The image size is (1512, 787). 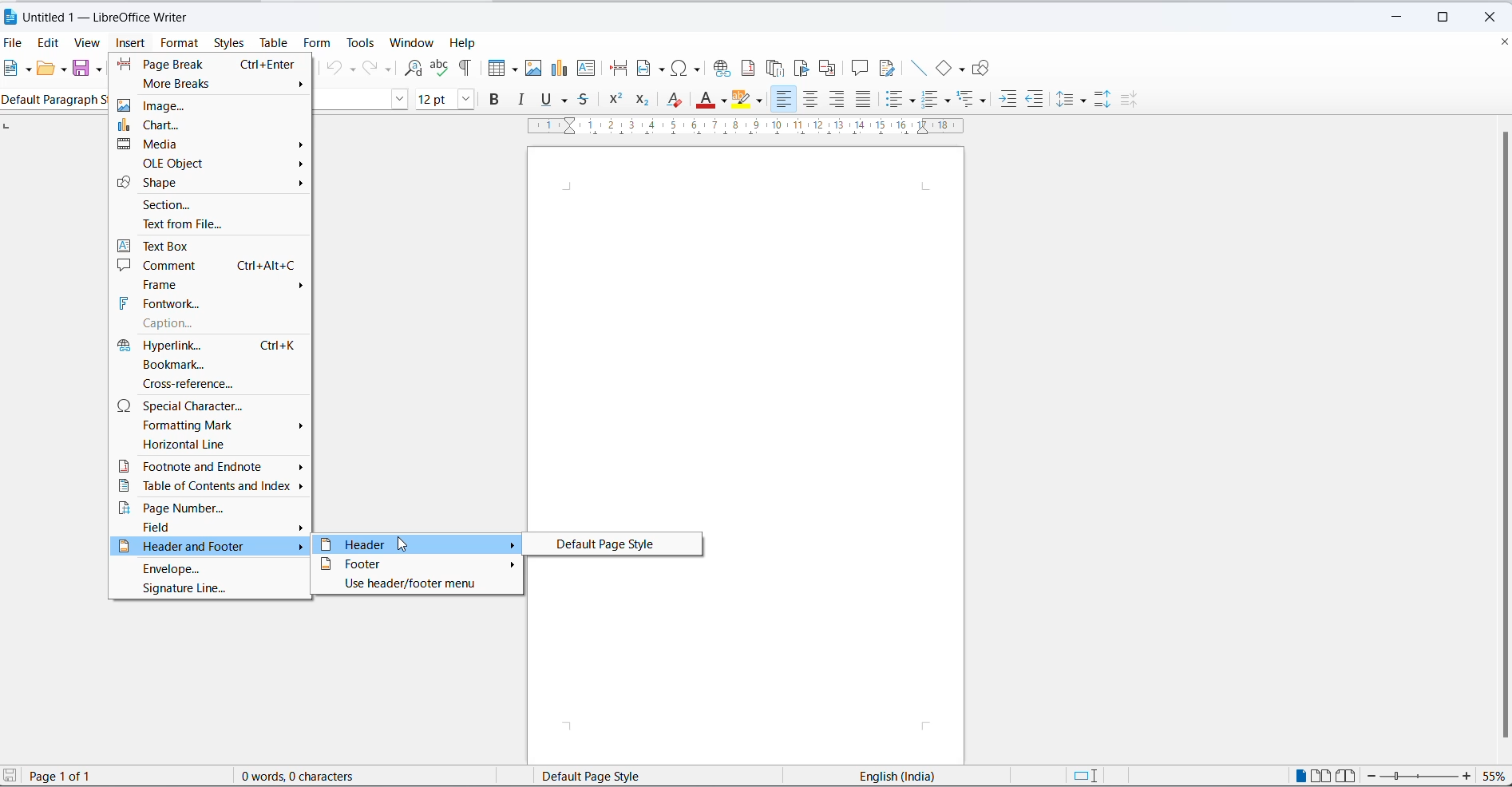 What do you see at coordinates (214, 105) in the screenshot?
I see `image` at bounding box center [214, 105].